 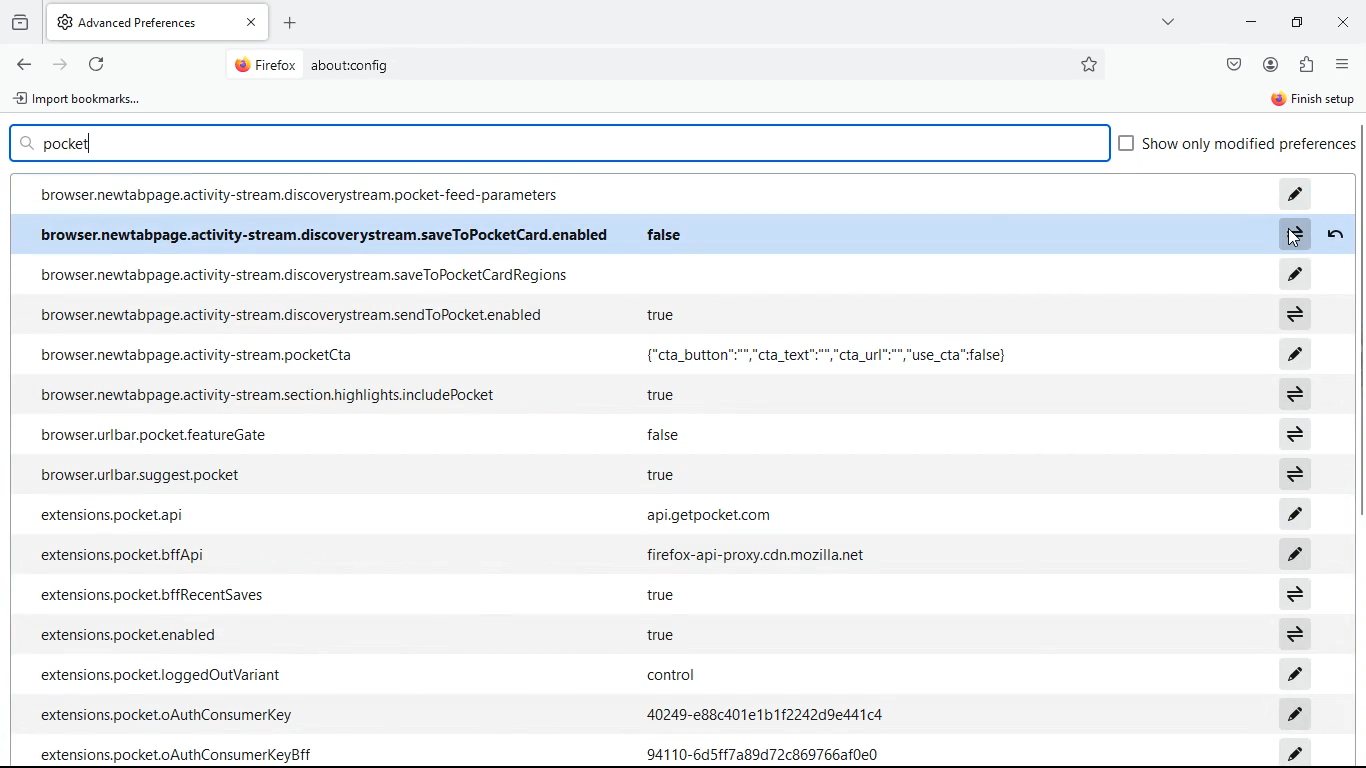 What do you see at coordinates (1237, 146) in the screenshot?
I see `show preferences` at bounding box center [1237, 146].